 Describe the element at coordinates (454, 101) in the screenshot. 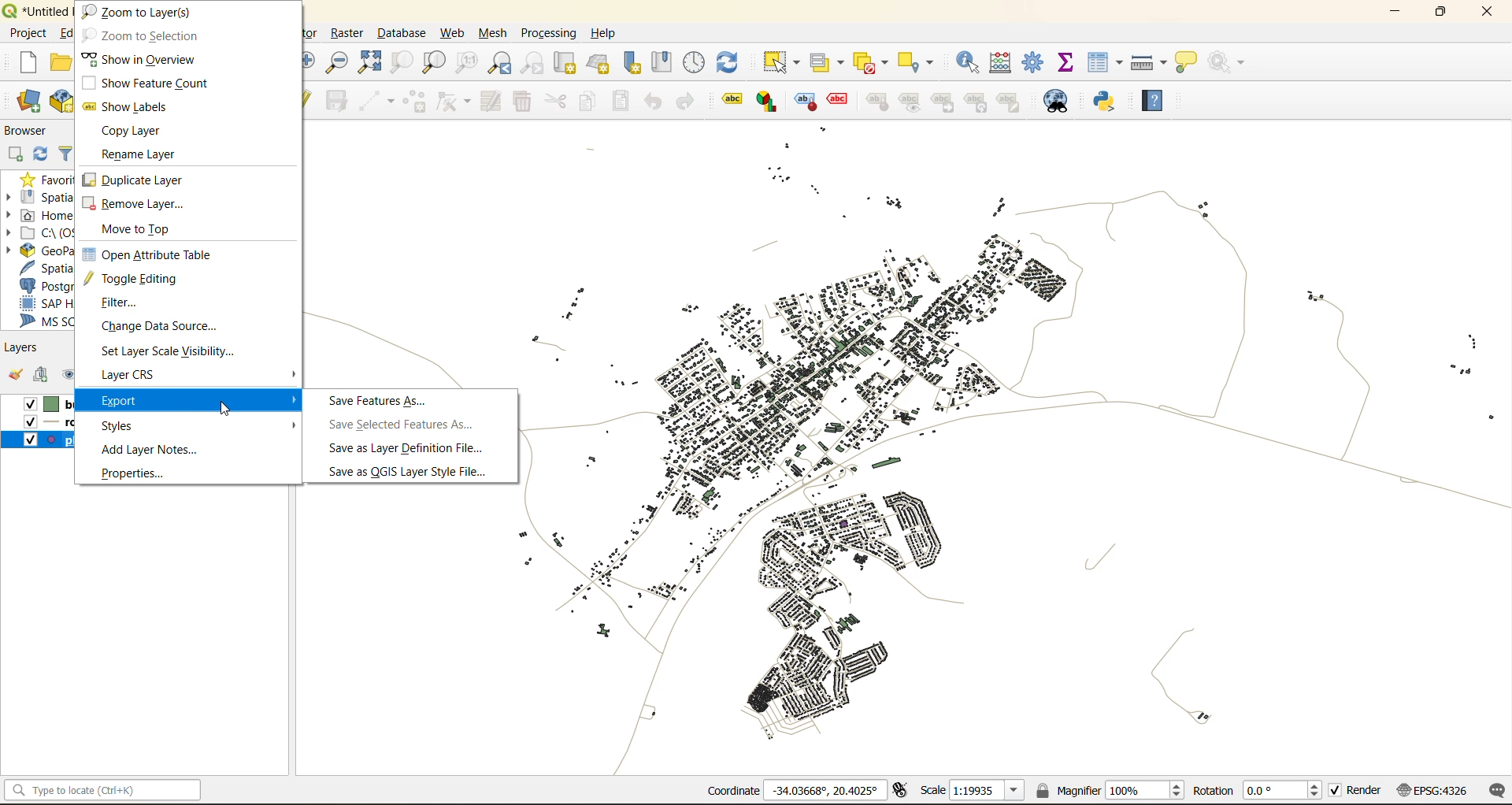

I see `vertex tools` at that location.